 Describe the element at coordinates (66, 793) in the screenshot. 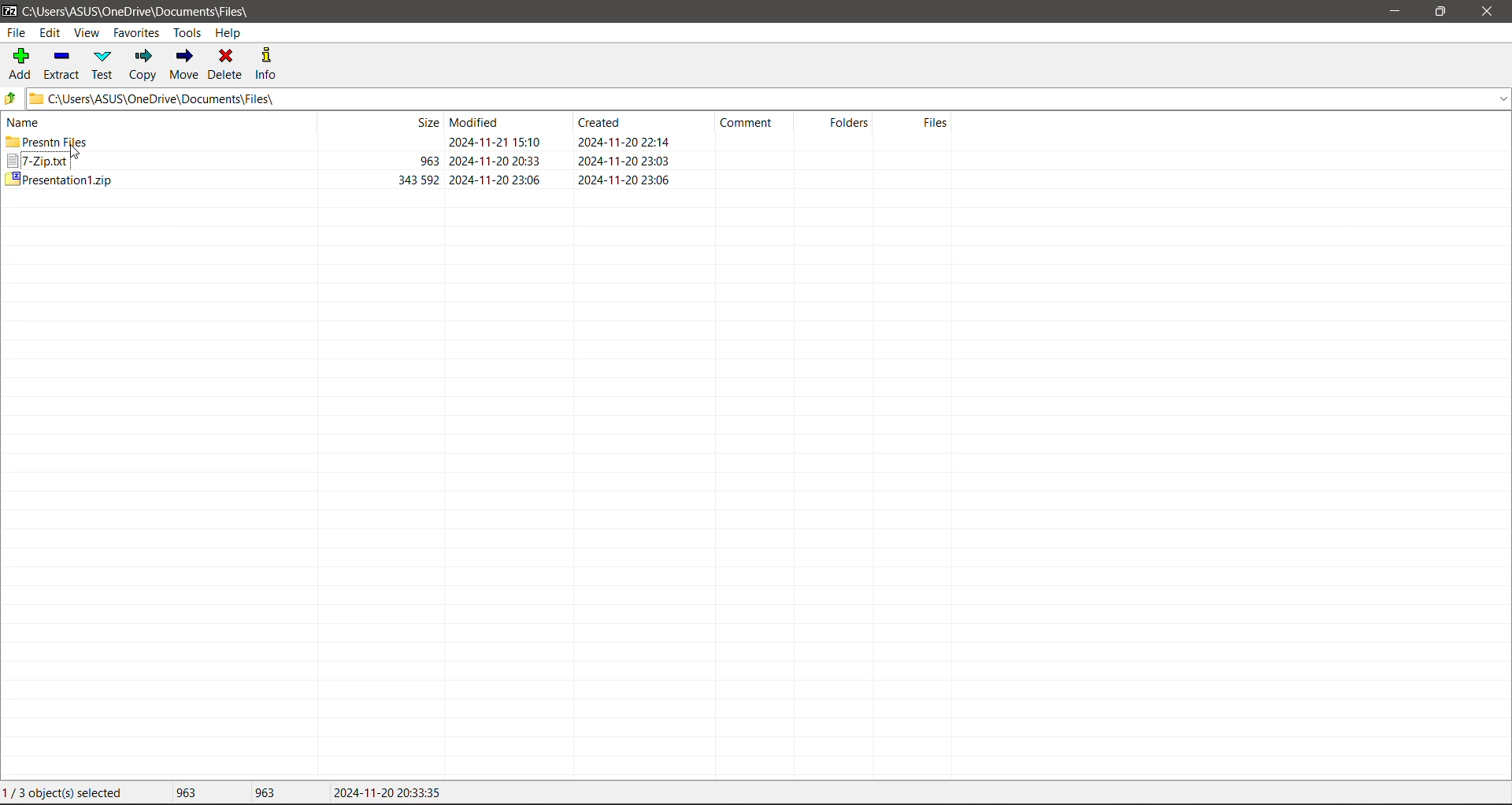

I see `Current File selection status` at that location.